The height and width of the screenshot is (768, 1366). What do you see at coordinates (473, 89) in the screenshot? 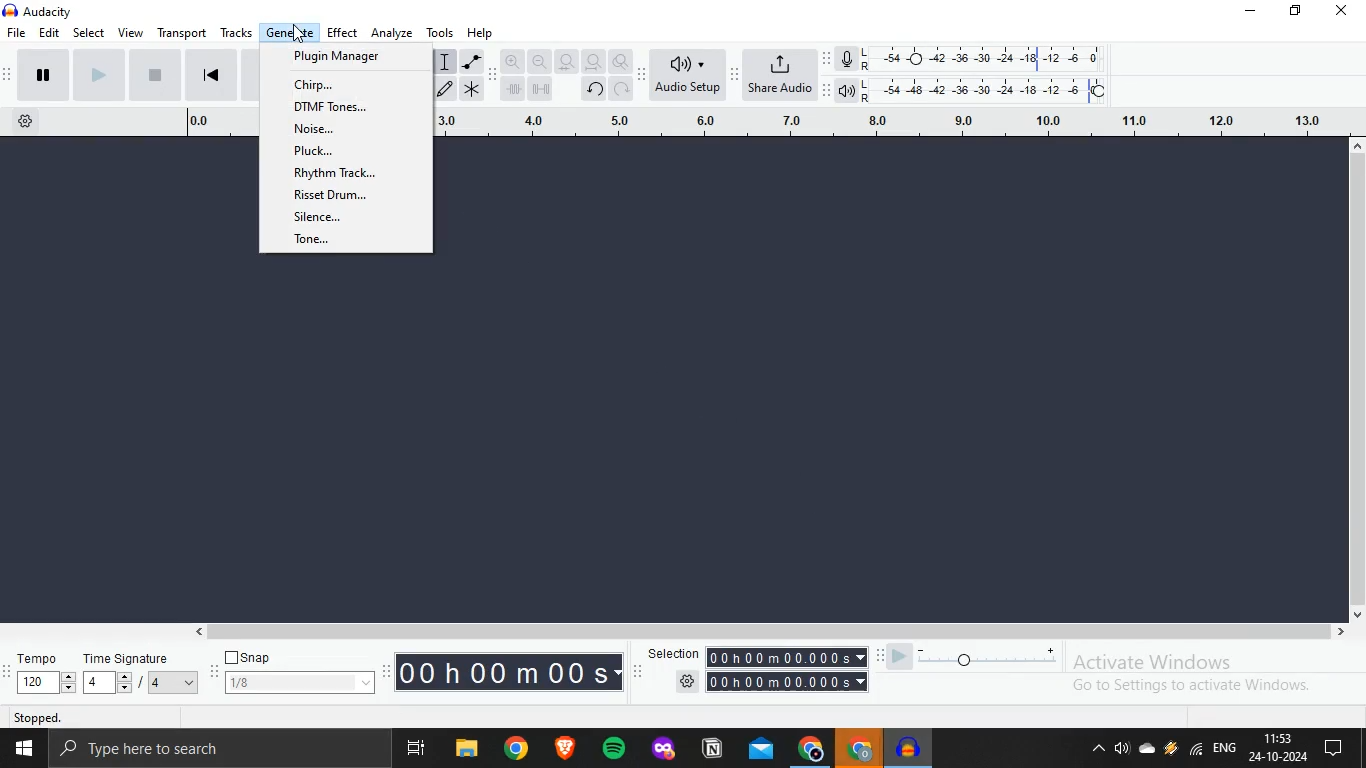
I see `Multi tool` at bounding box center [473, 89].